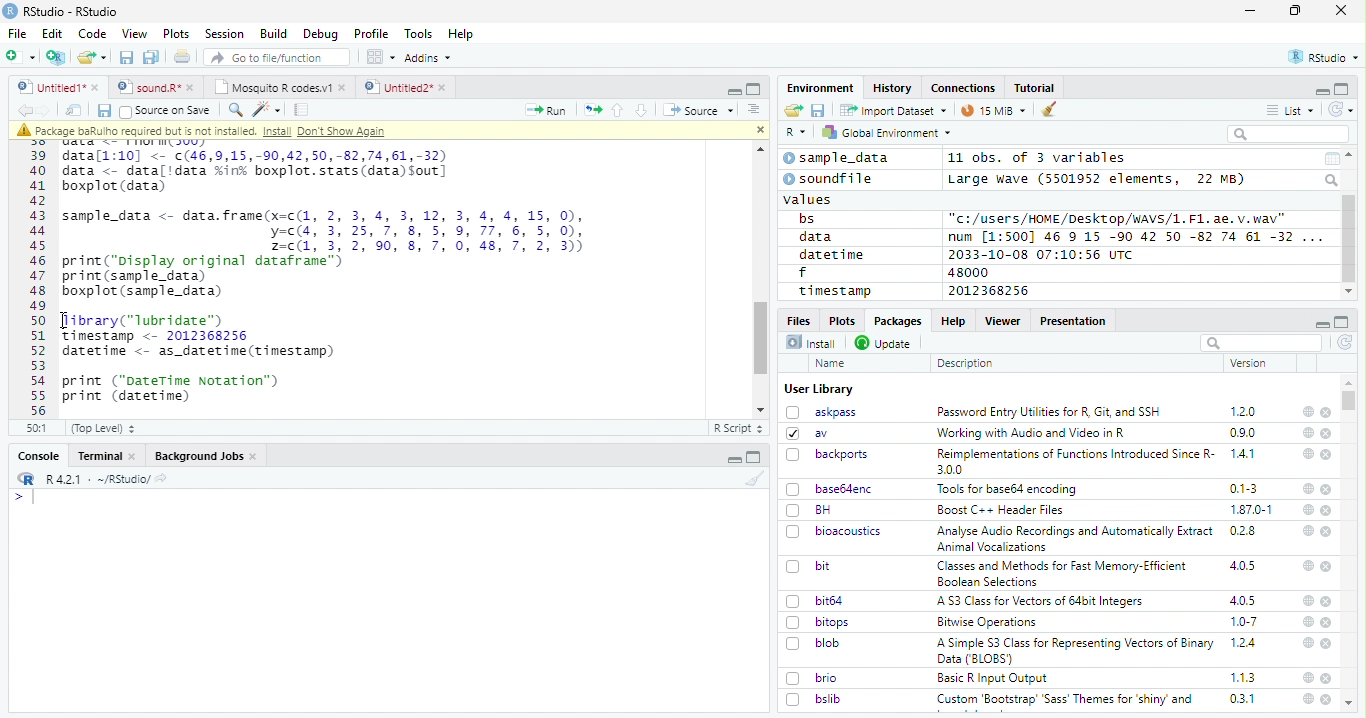 This screenshot has height=718, width=1366. I want to click on Files, so click(800, 319).